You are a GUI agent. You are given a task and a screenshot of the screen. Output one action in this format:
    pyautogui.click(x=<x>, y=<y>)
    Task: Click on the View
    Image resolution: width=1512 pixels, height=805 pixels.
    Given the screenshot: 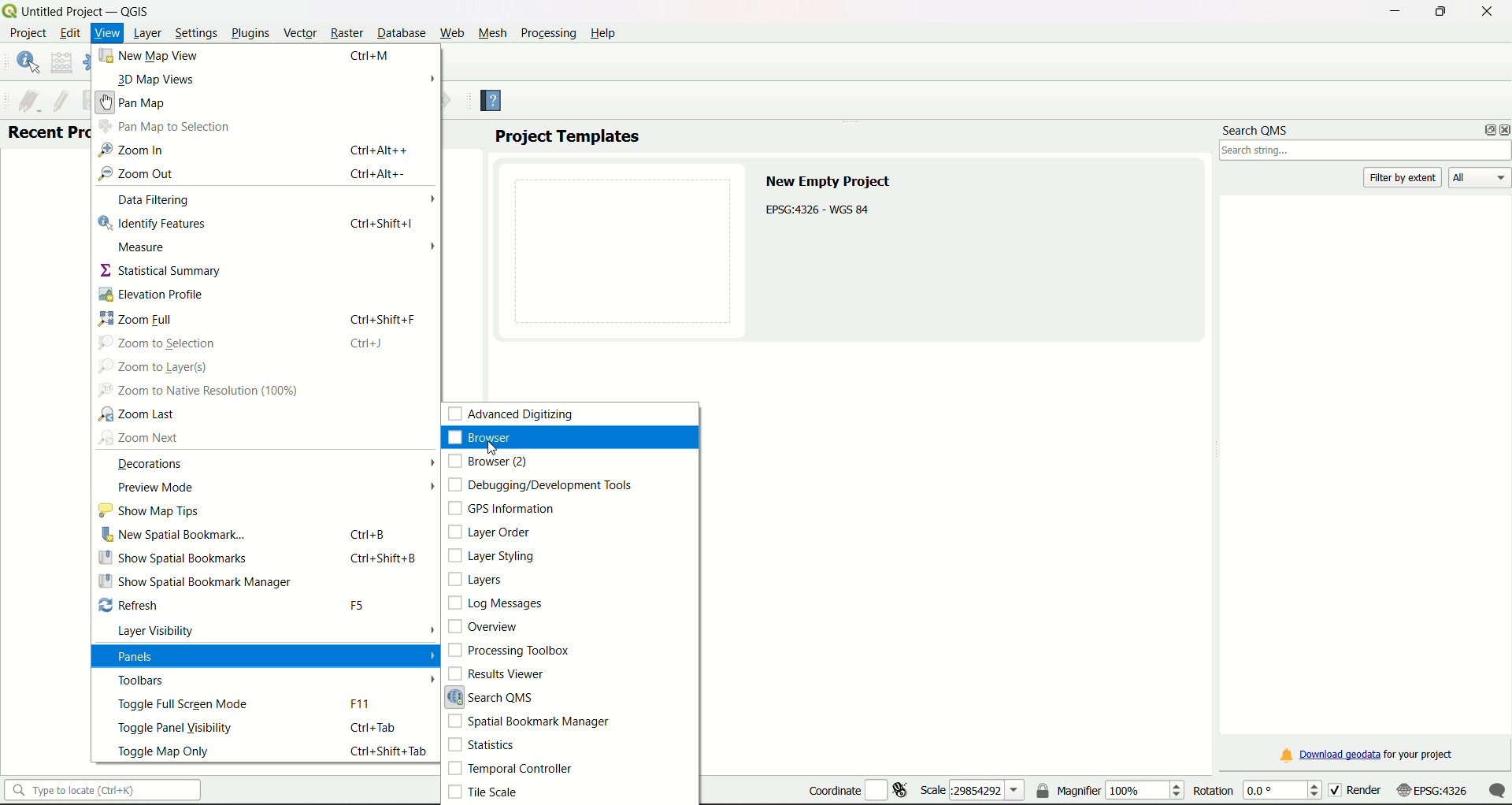 What is the action you would take?
    pyautogui.click(x=106, y=34)
    